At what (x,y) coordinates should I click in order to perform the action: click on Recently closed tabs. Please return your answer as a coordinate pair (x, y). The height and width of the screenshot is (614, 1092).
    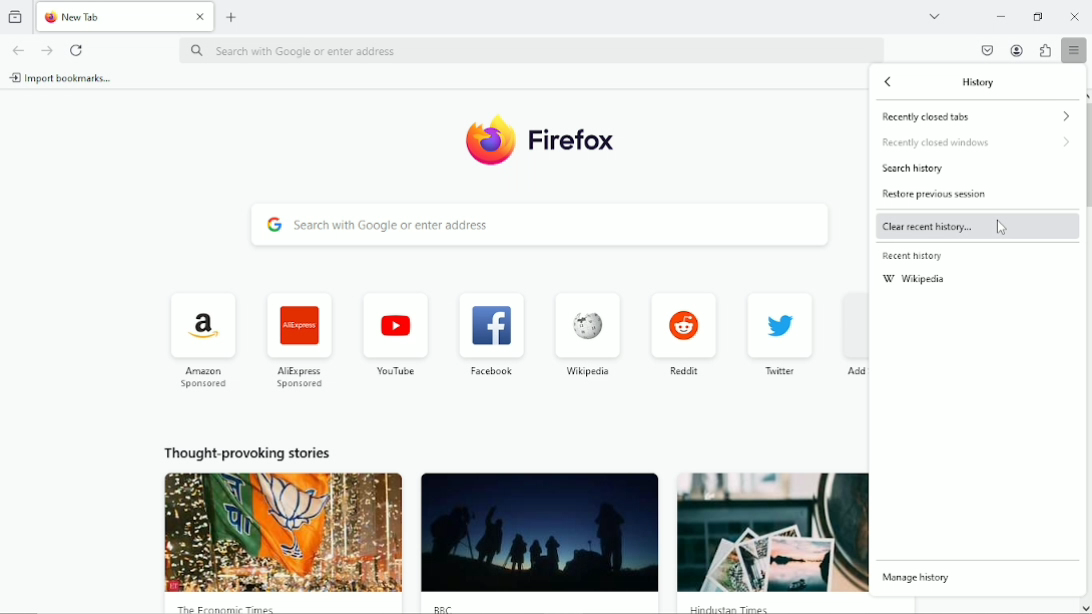
    Looking at the image, I should click on (973, 115).